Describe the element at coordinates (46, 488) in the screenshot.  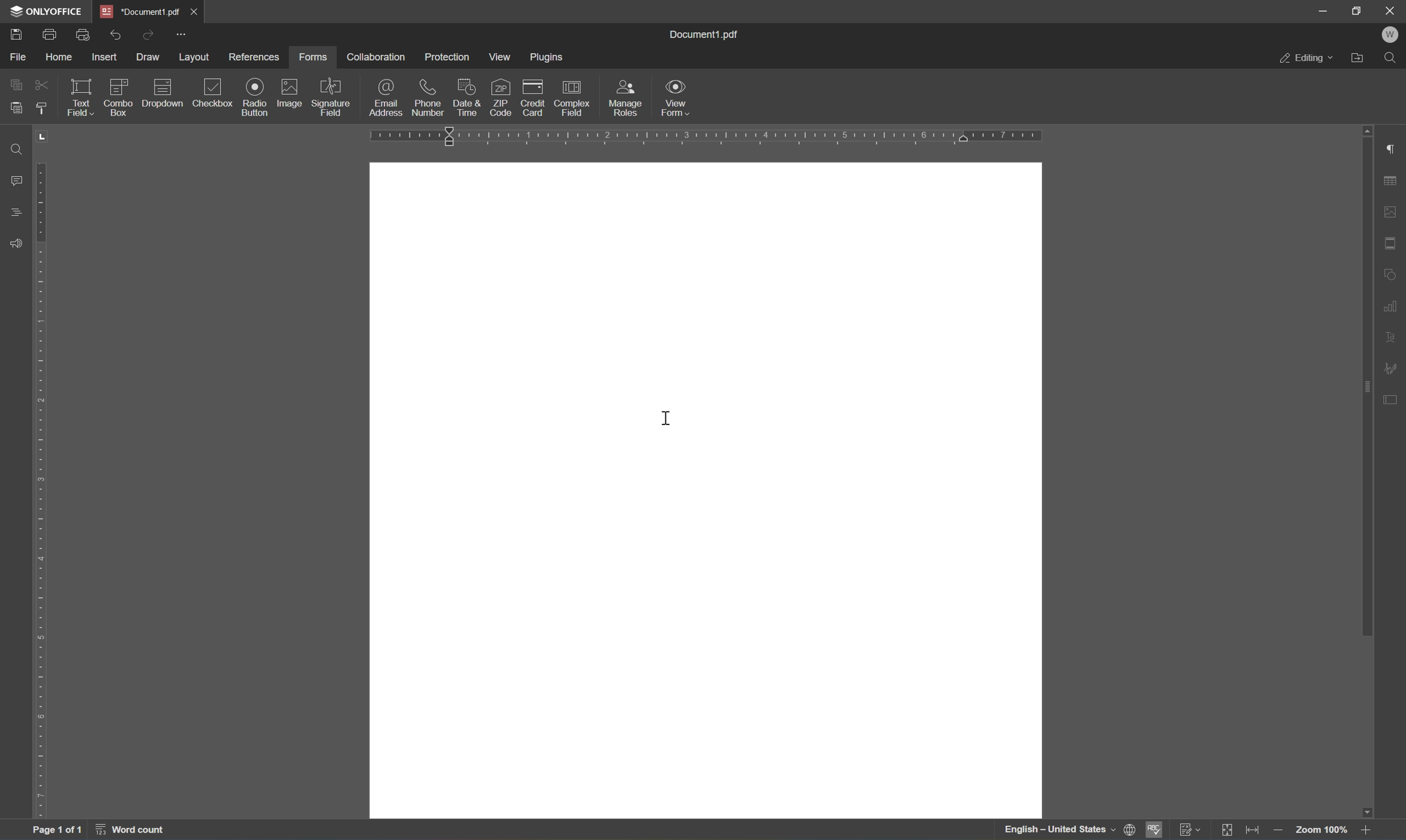
I see `ruler` at that location.